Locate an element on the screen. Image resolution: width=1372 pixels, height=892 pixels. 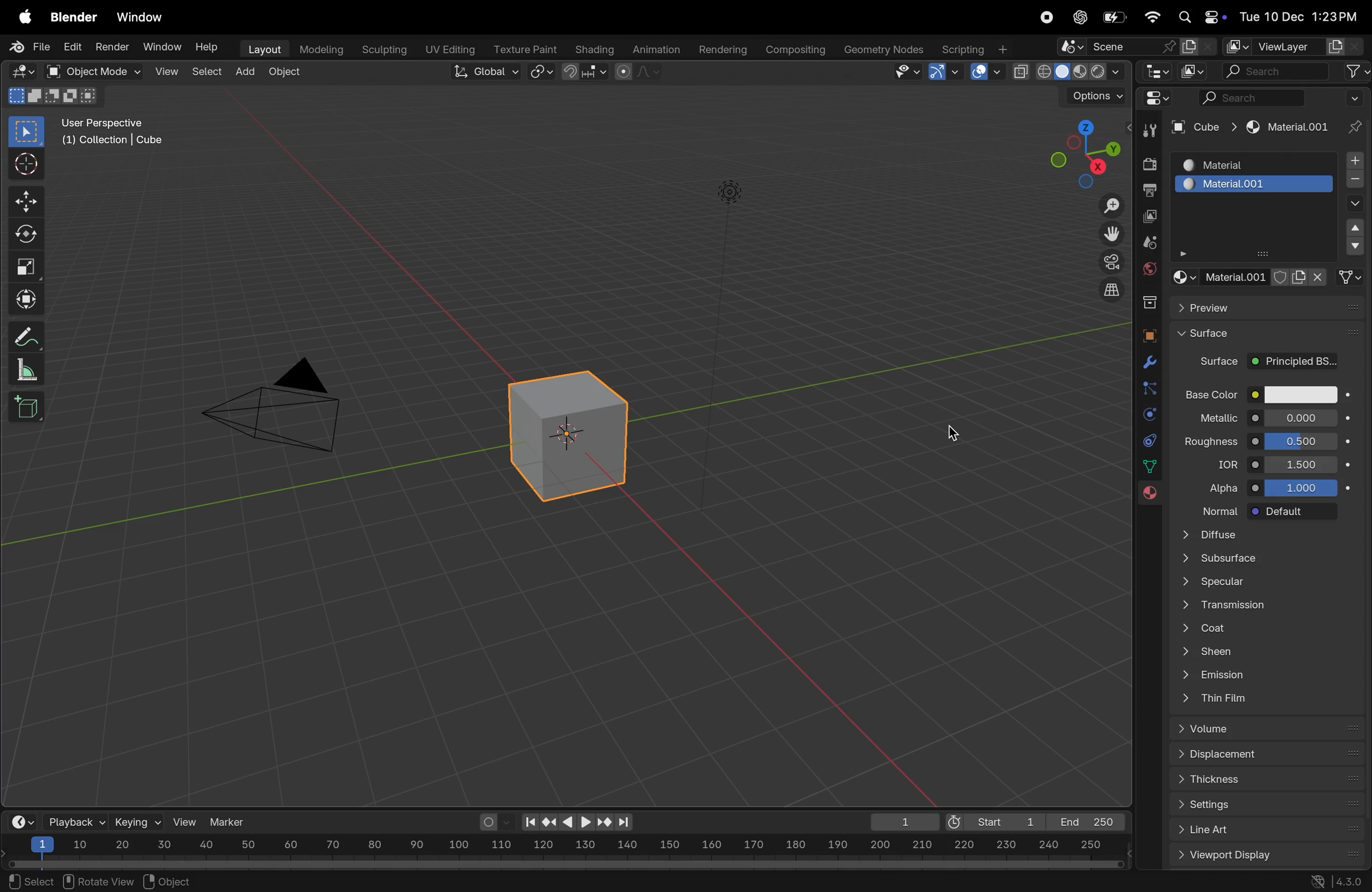
Sculpting is located at coordinates (379, 47).